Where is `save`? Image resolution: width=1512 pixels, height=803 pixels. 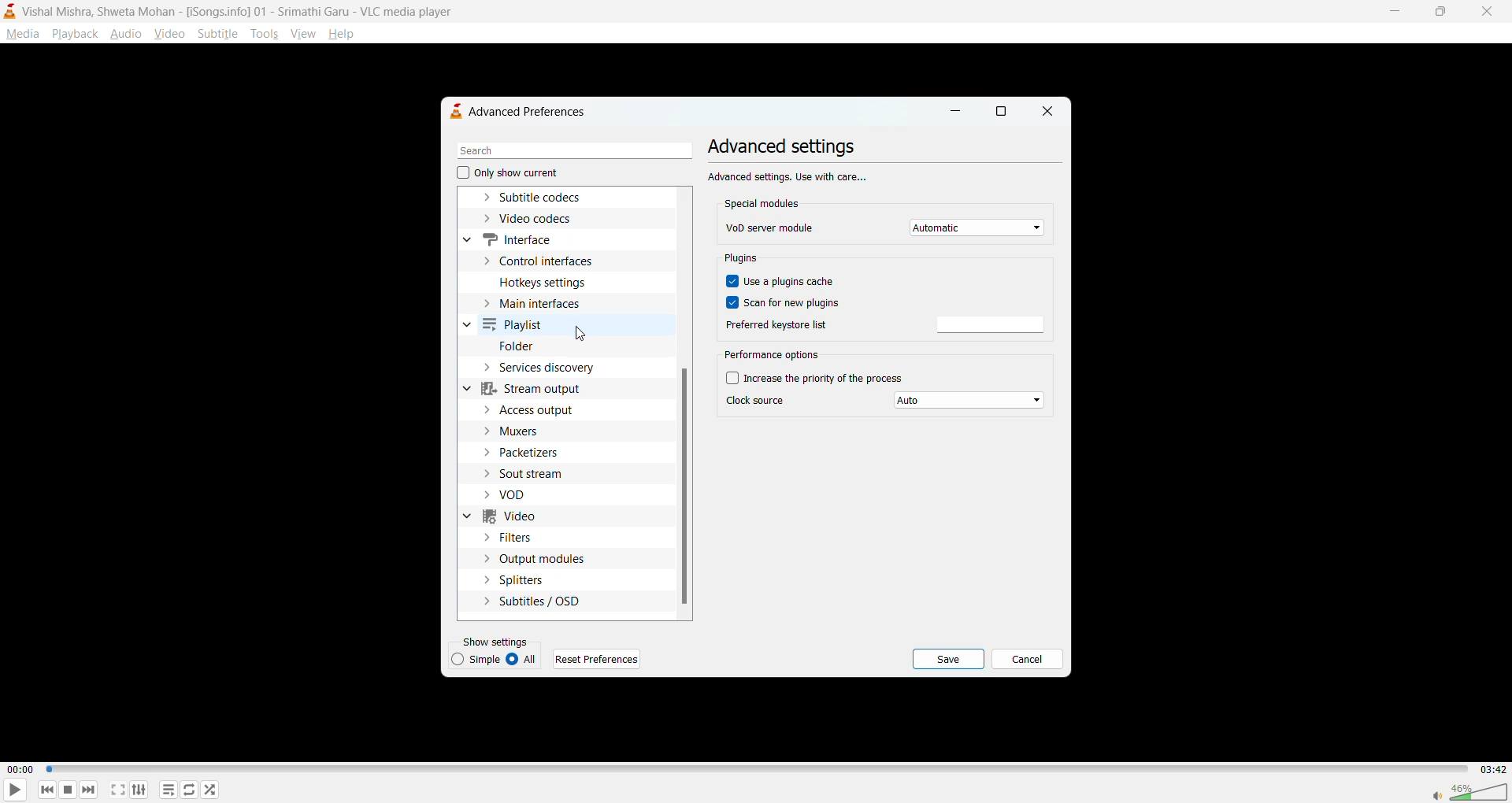
save is located at coordinates (949, 660).